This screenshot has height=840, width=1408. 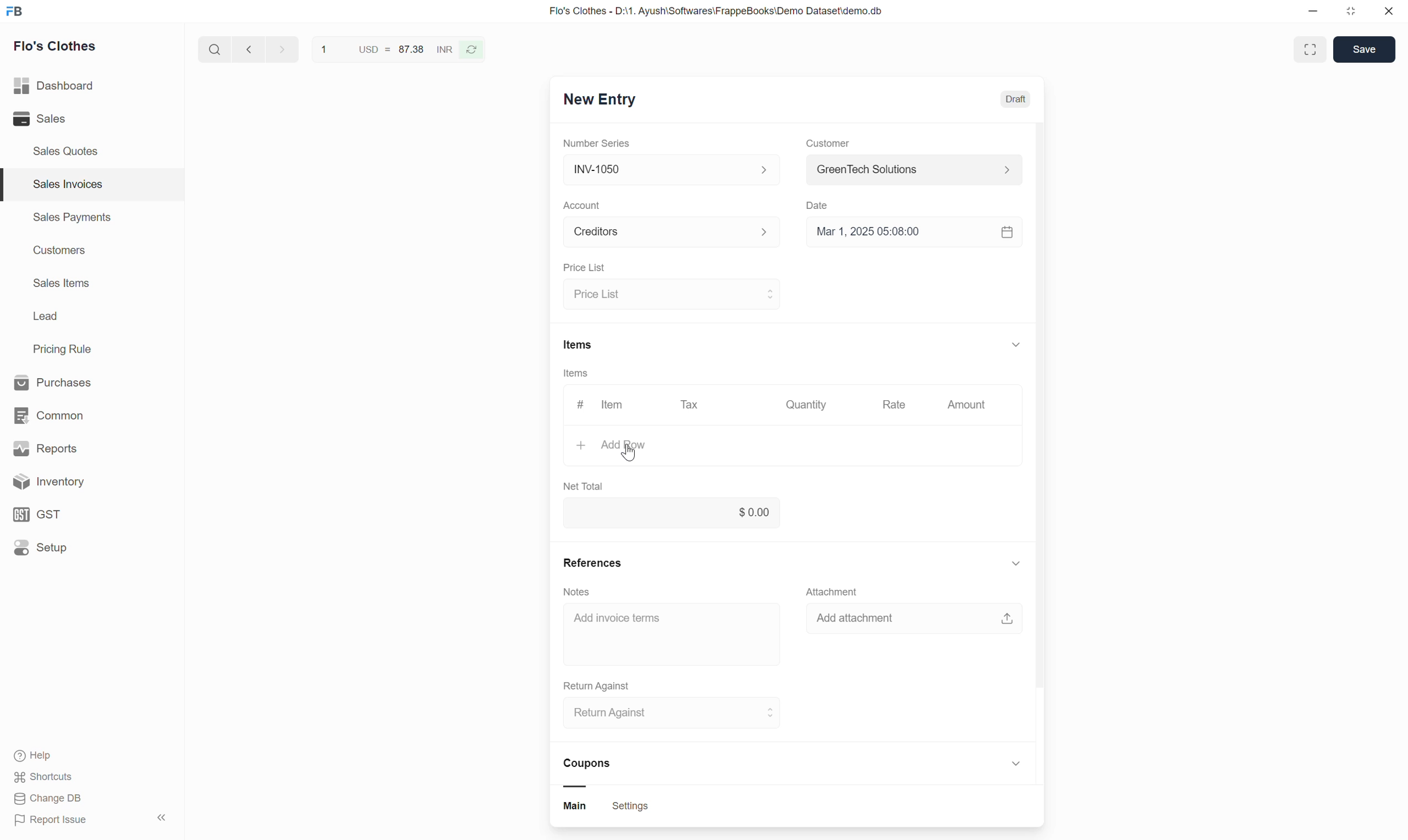 What do you see at coordinates (1318, 12) in the screenshot?
I see `minimize ` at bounding box center [1318, 12].